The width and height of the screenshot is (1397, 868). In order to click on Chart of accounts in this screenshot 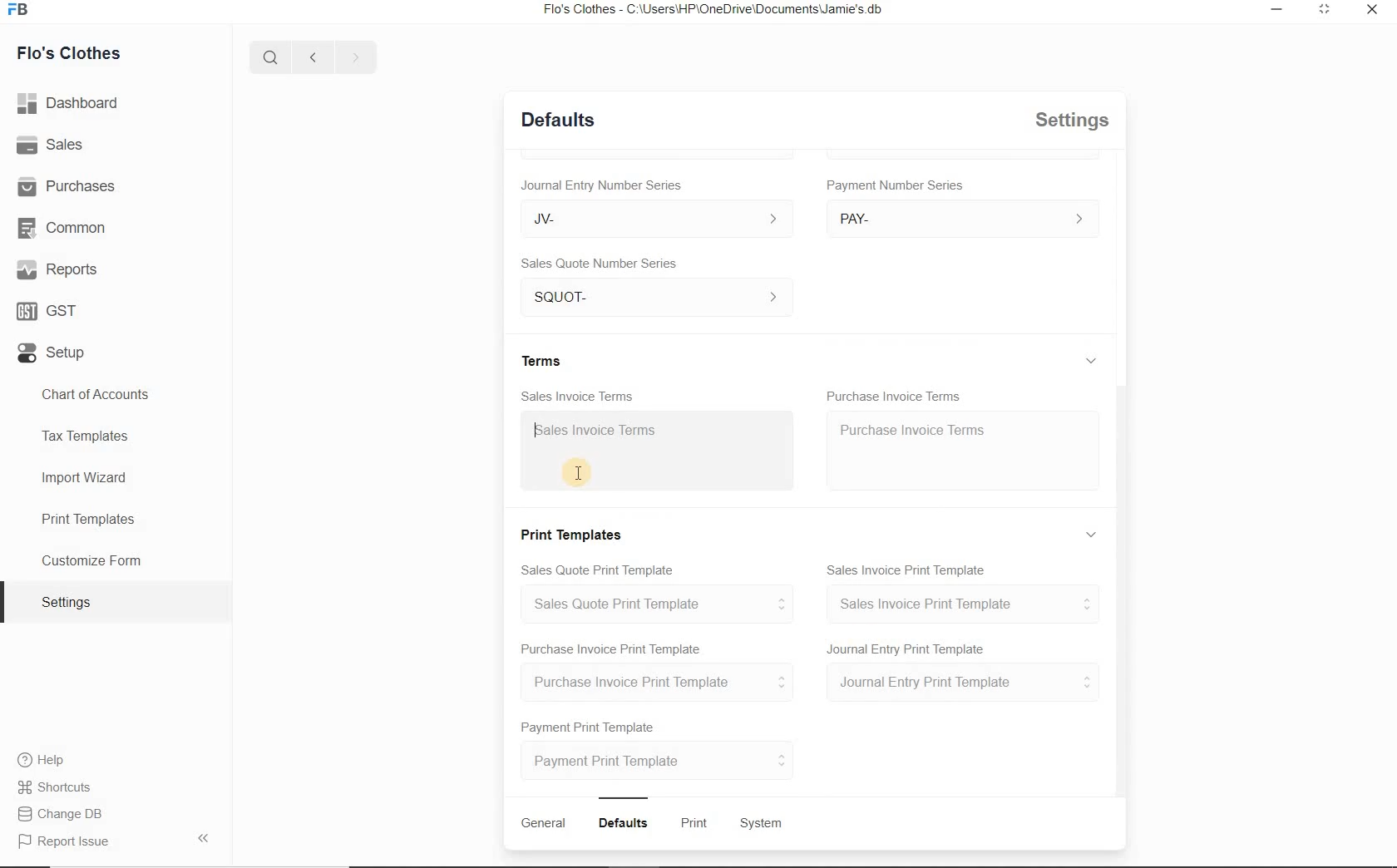, I will do `click(116, 395)`.